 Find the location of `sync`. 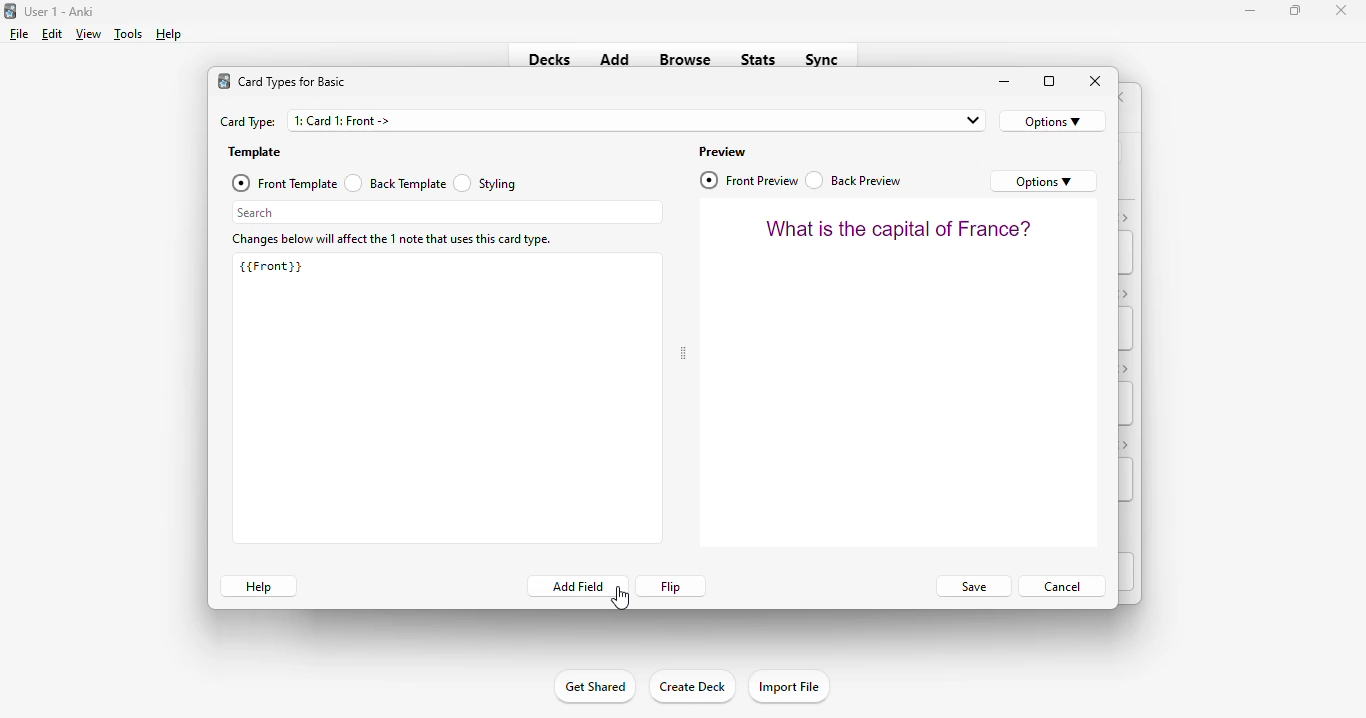

sync is located at coordinates (820, 58).